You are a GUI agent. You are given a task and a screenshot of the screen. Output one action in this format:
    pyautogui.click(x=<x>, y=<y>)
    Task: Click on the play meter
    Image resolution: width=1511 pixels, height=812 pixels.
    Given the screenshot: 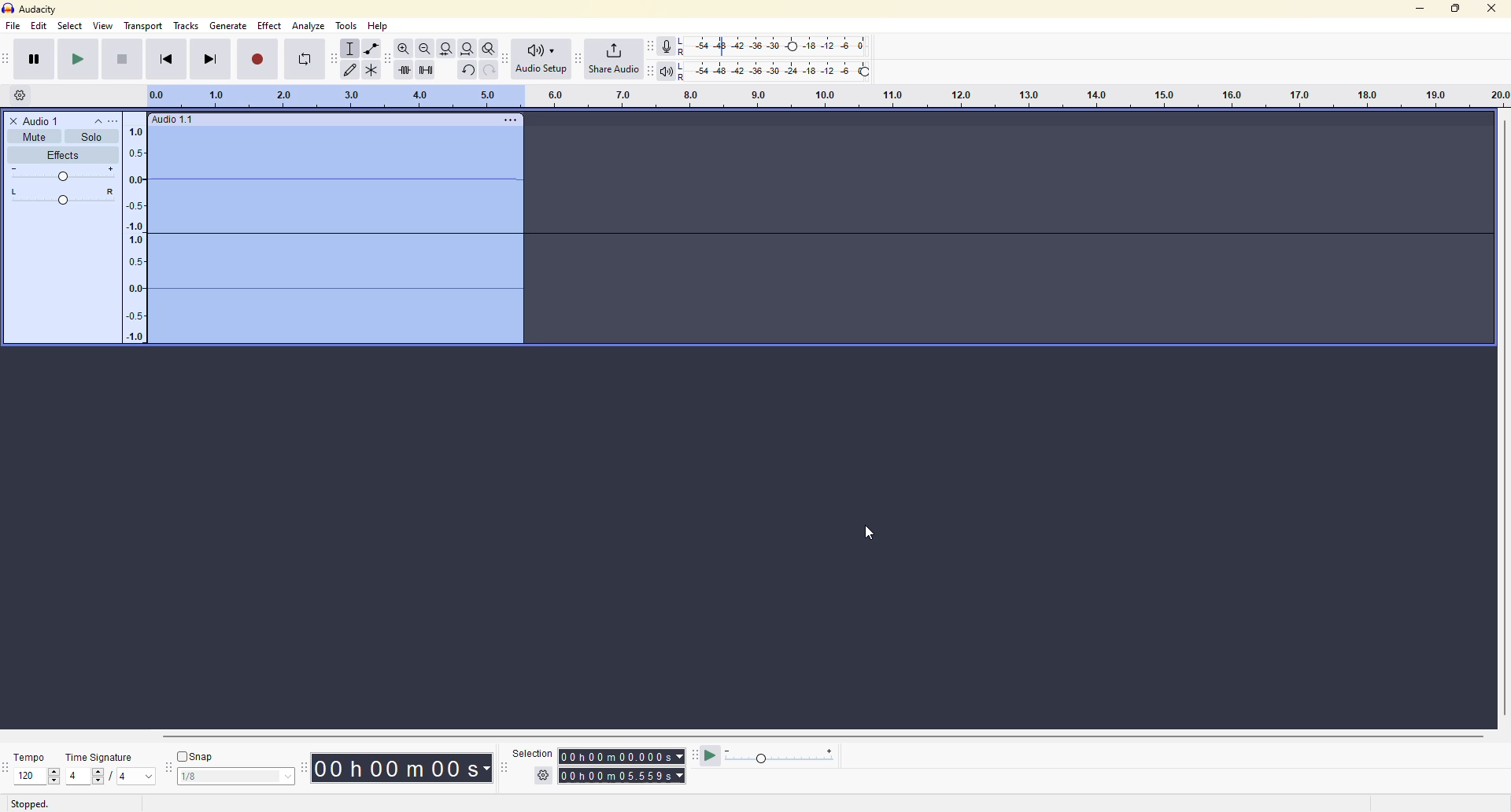 What is the action you would take?
    pyautogui.click(x=781, y=757)
    